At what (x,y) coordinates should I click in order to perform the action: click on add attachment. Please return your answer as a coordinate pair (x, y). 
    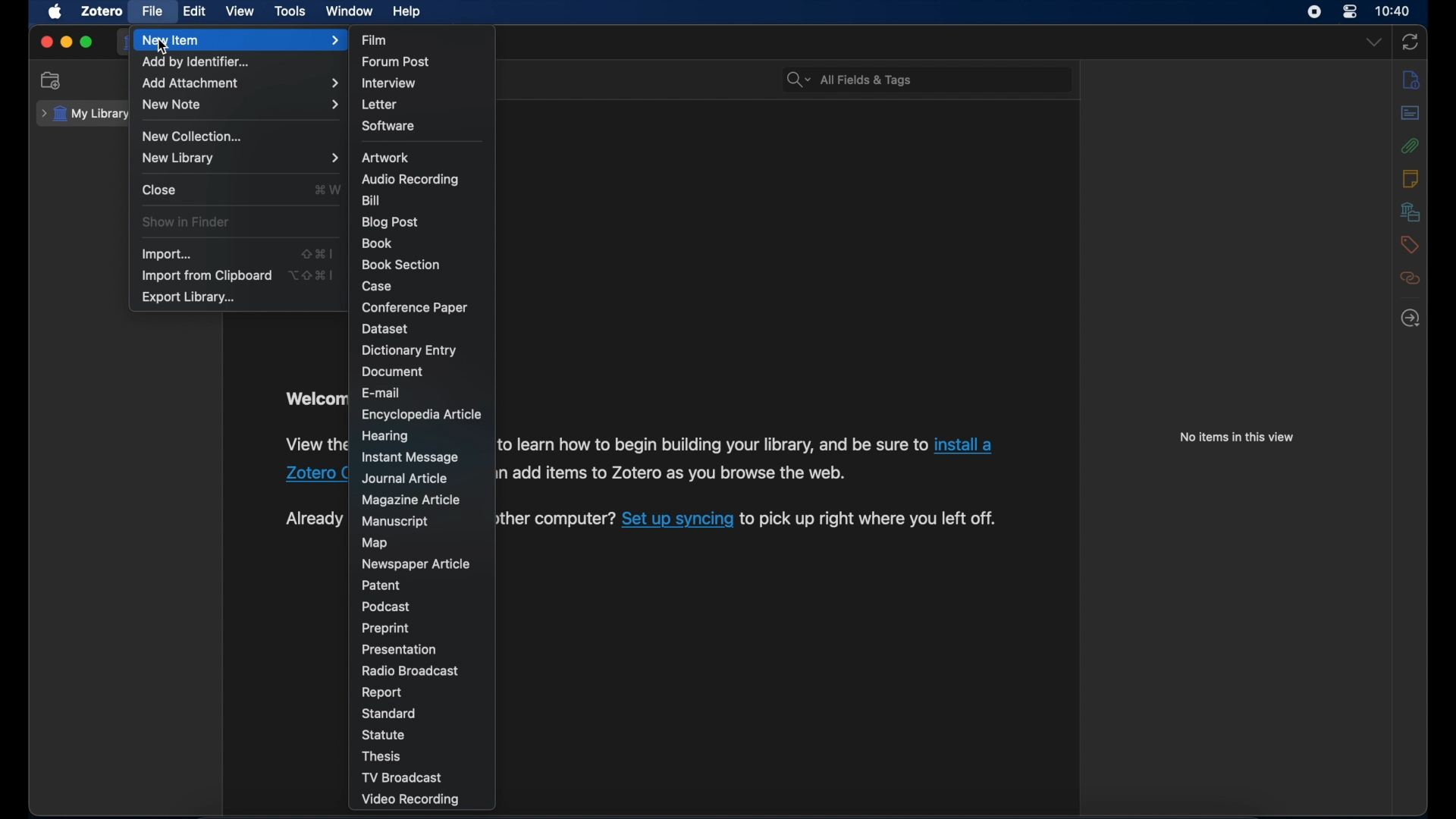
    Looking at the image, I should click on (240, 83).